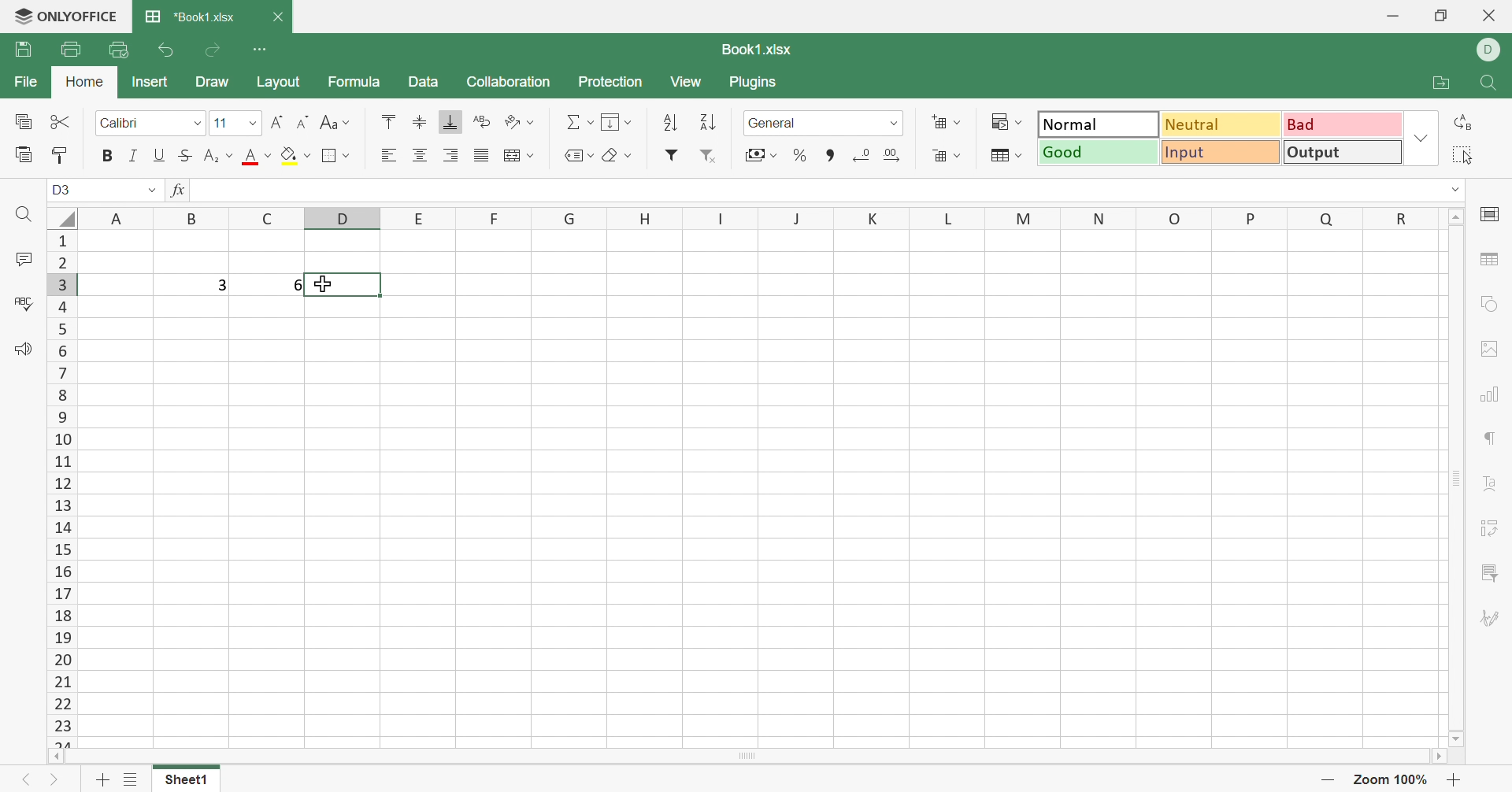  What do you see at coordinates (21, 50) in the screenshot?
I see `Save` at bounding box center [21, 50].